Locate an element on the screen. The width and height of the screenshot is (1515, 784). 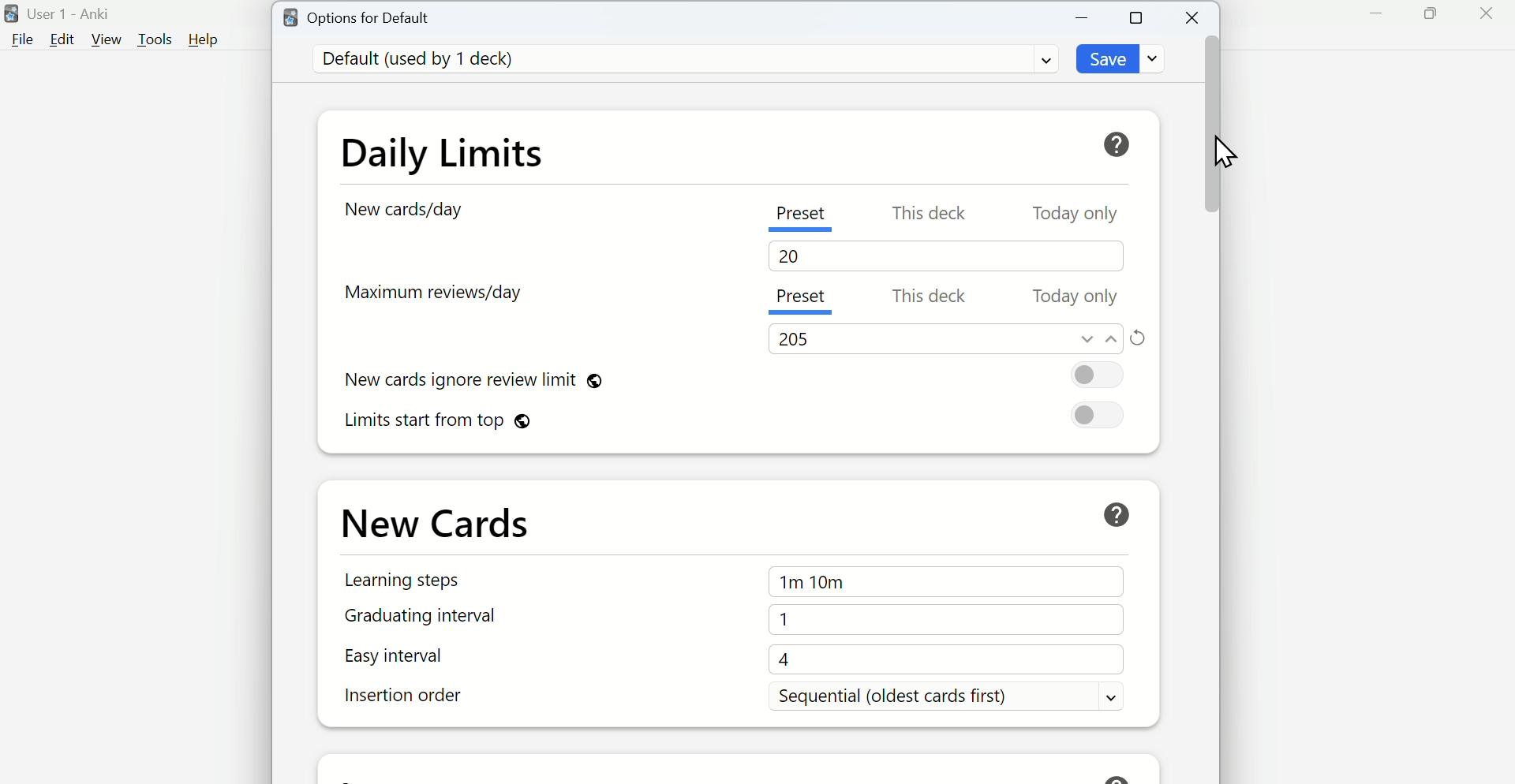
Move up is located at coordinates (1113, 338).